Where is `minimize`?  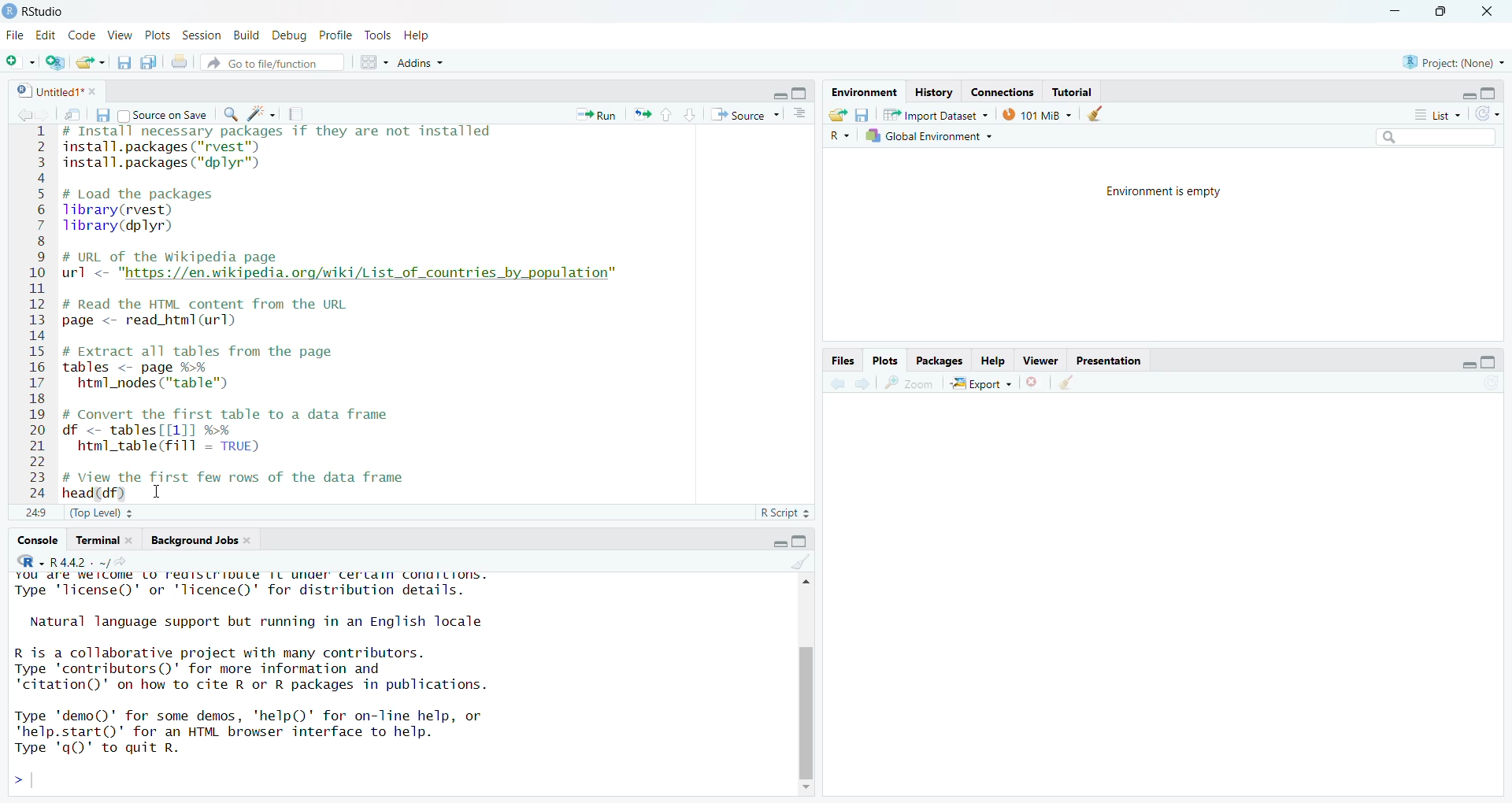
minimize is located at coordinates (778, 95).